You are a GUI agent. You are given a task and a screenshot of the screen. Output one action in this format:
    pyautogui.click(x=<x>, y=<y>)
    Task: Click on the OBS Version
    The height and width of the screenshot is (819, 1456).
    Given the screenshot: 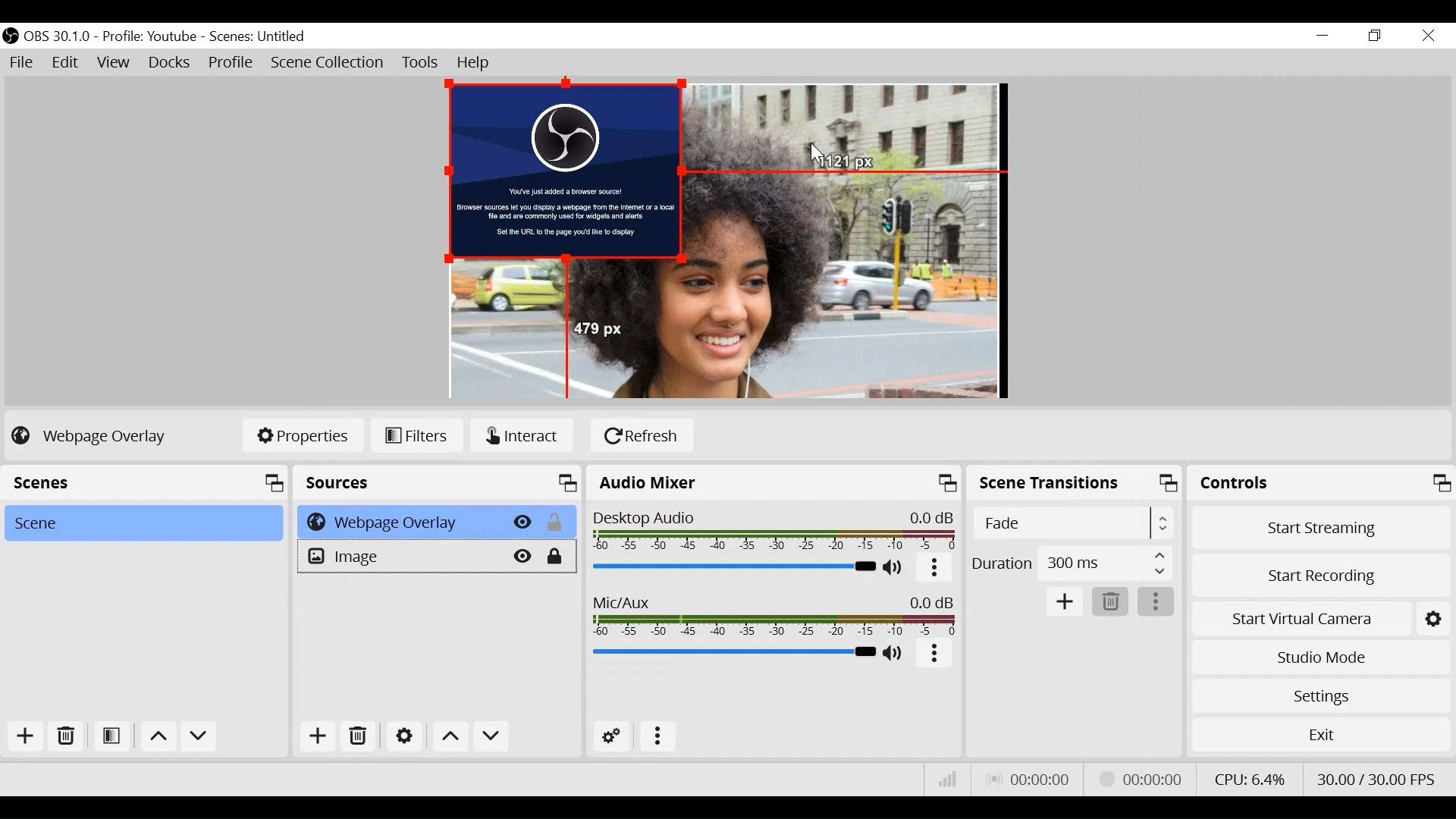 What is the action you would take?
    pyautogui.click(x=57, y=37)
    